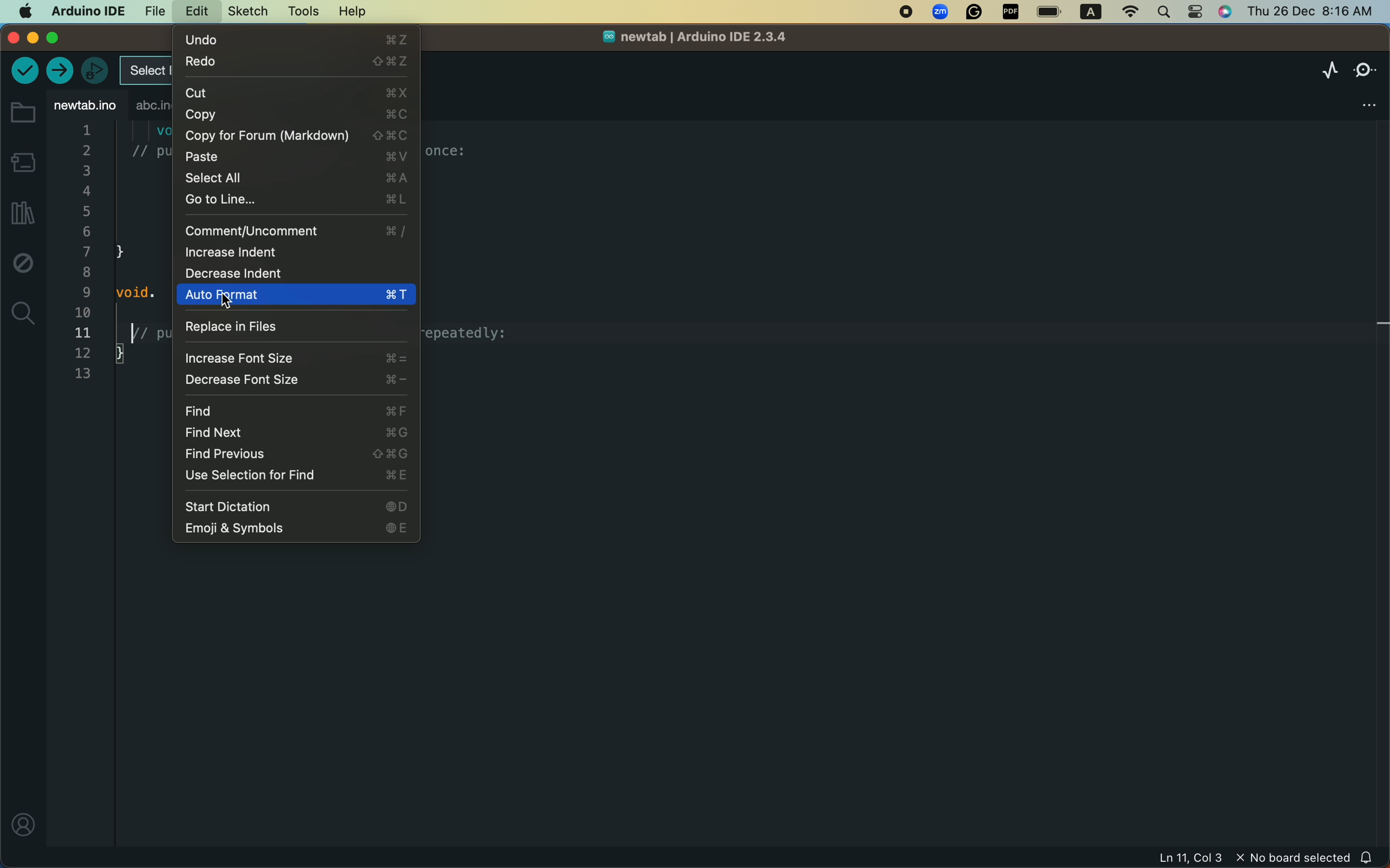  Describe the element at coordinates (143, 72) in the screenshot. I see `board selecter` at that location.